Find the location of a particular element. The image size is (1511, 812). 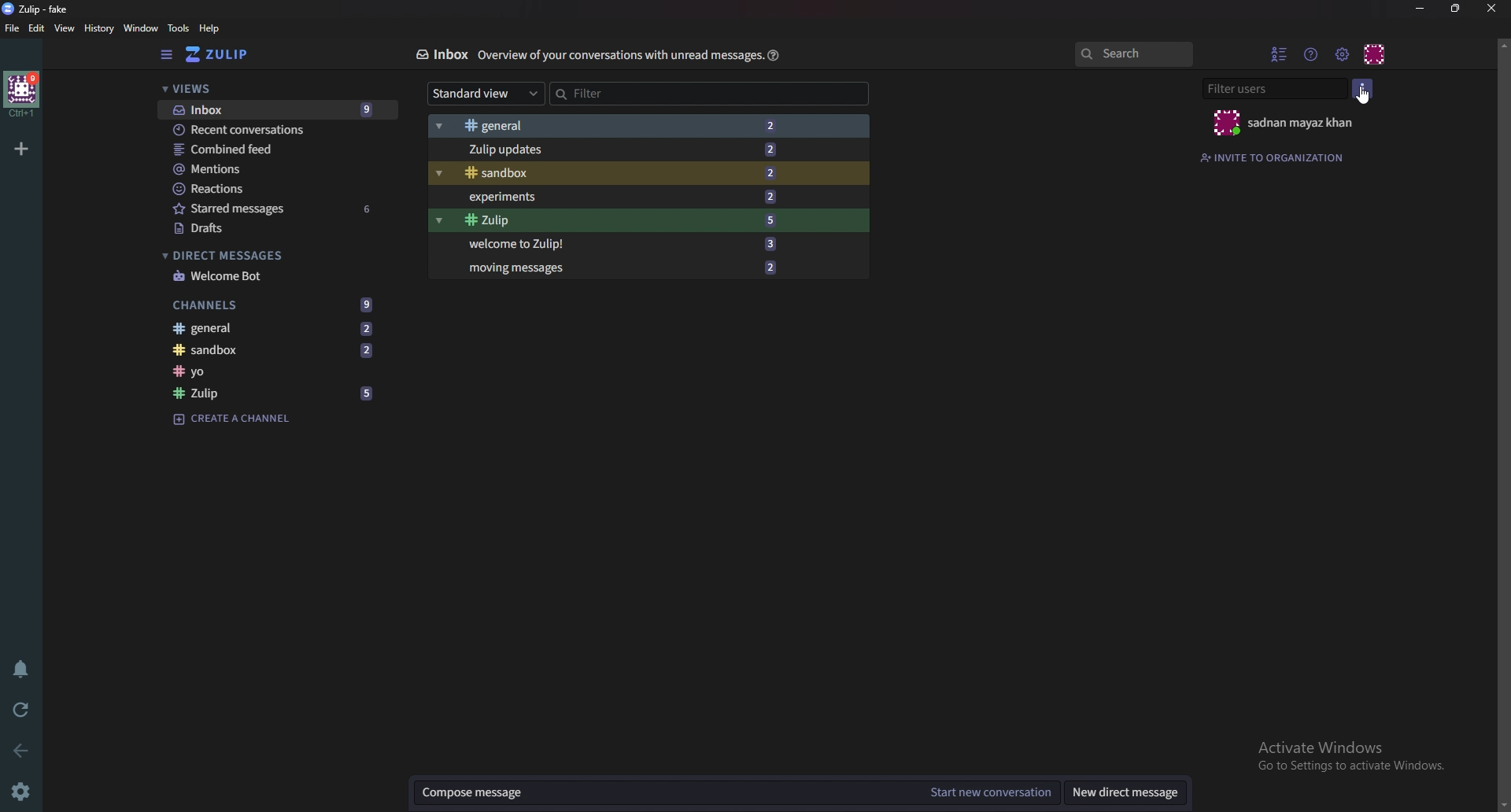

minimize is located at coordinates (1420, 9).